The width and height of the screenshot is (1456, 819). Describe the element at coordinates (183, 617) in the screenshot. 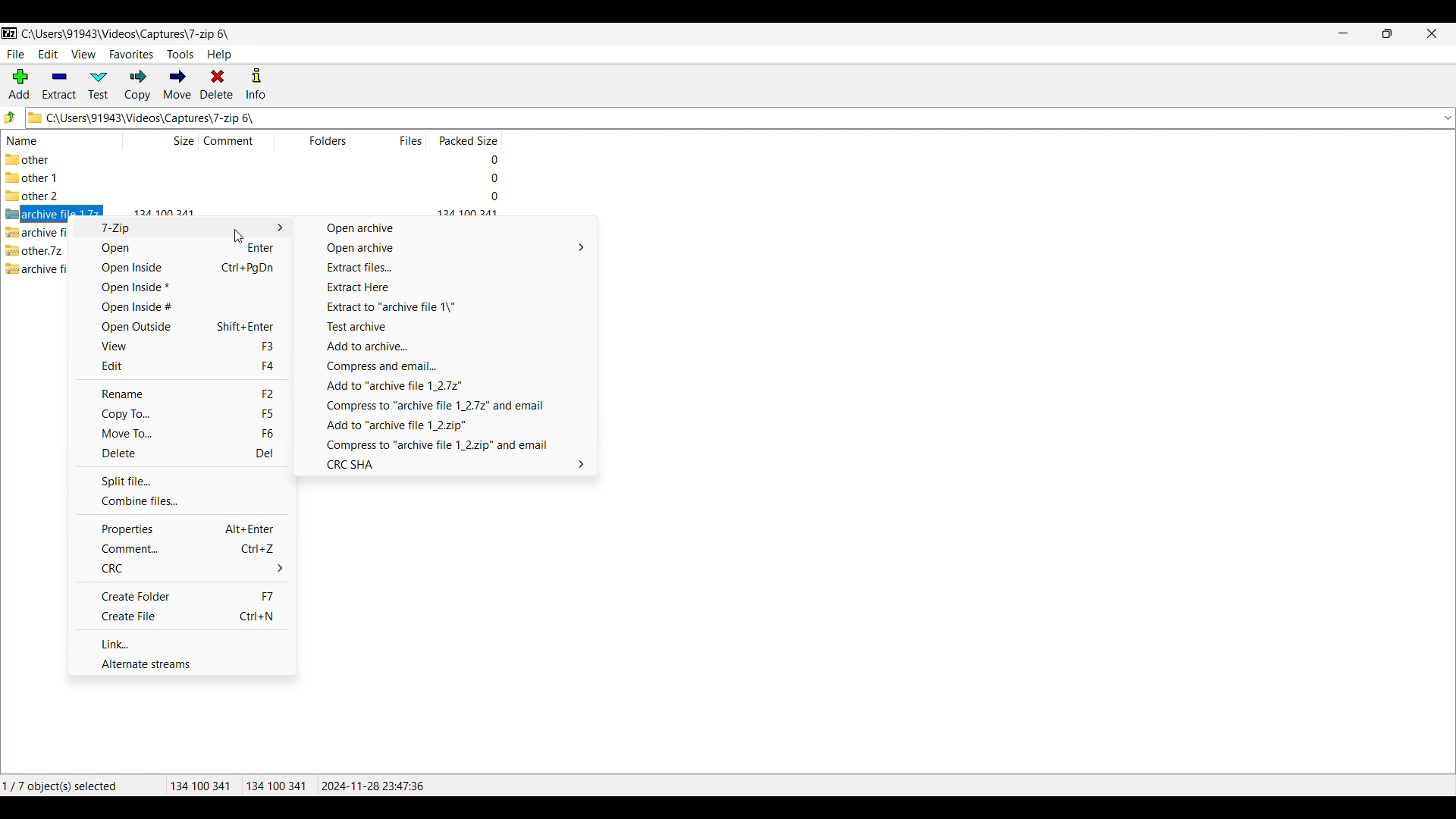

I see `Create file` at that location.